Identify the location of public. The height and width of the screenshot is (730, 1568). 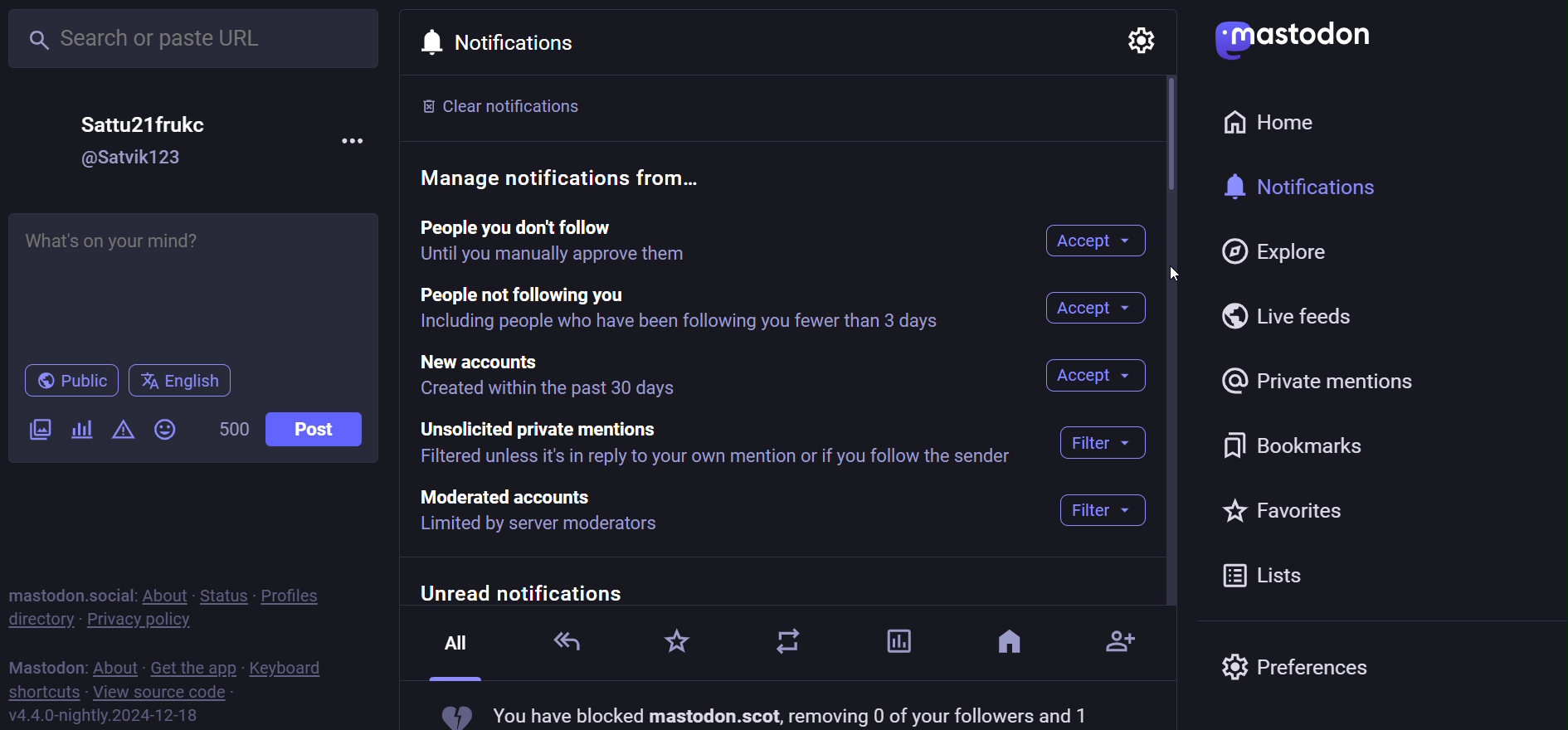
(67, 381).